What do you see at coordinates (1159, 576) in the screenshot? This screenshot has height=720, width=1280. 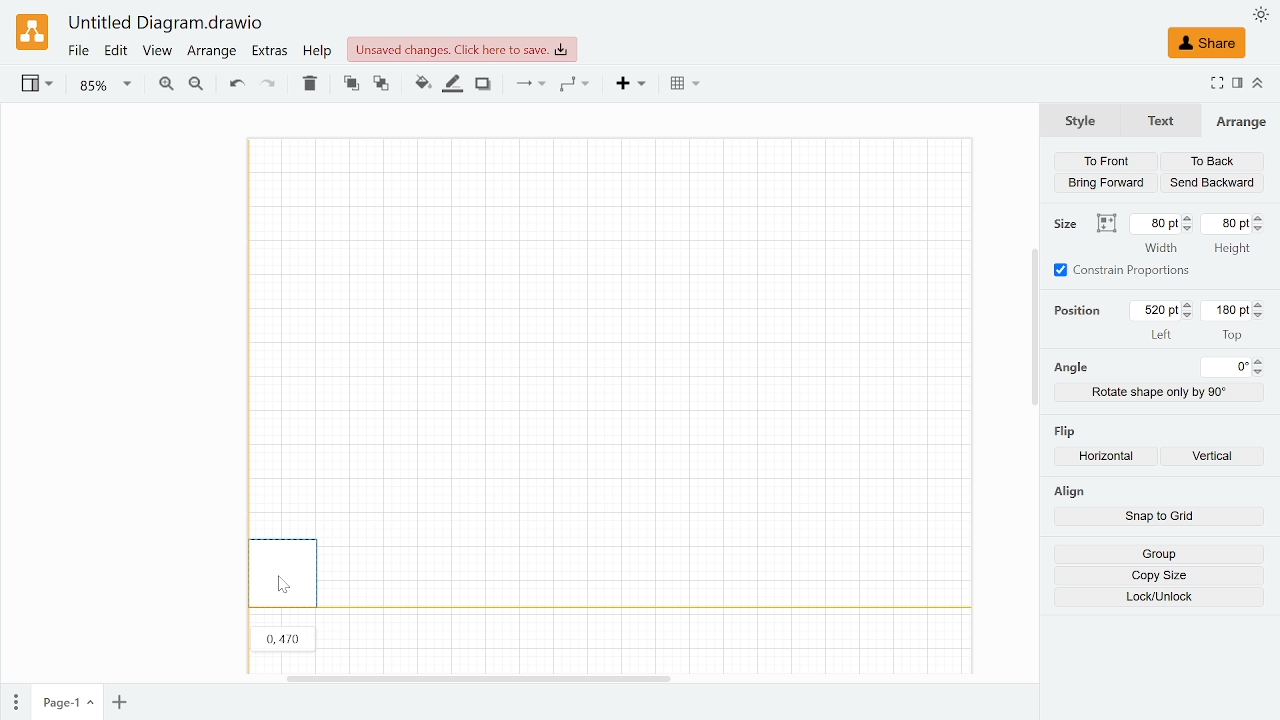 I see `Copy size` at bounding box center [1159, 576].